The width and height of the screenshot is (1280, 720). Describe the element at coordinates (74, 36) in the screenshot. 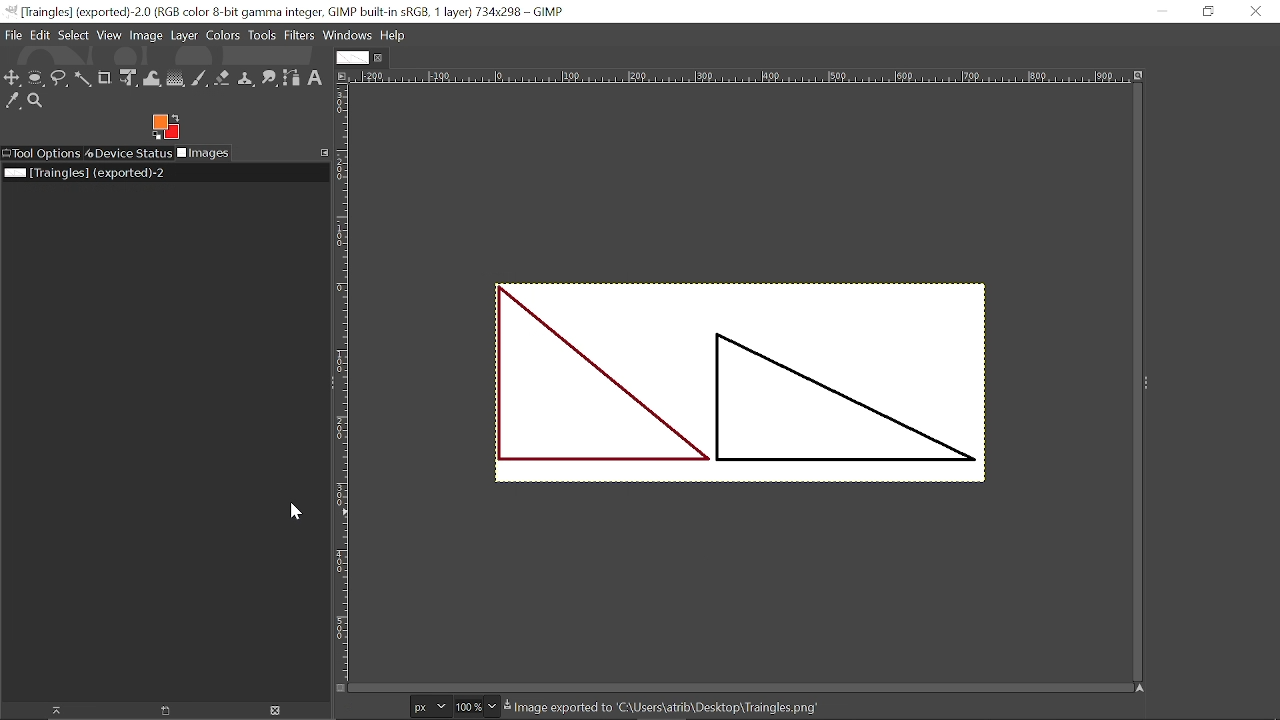

I see `Select` at that location.